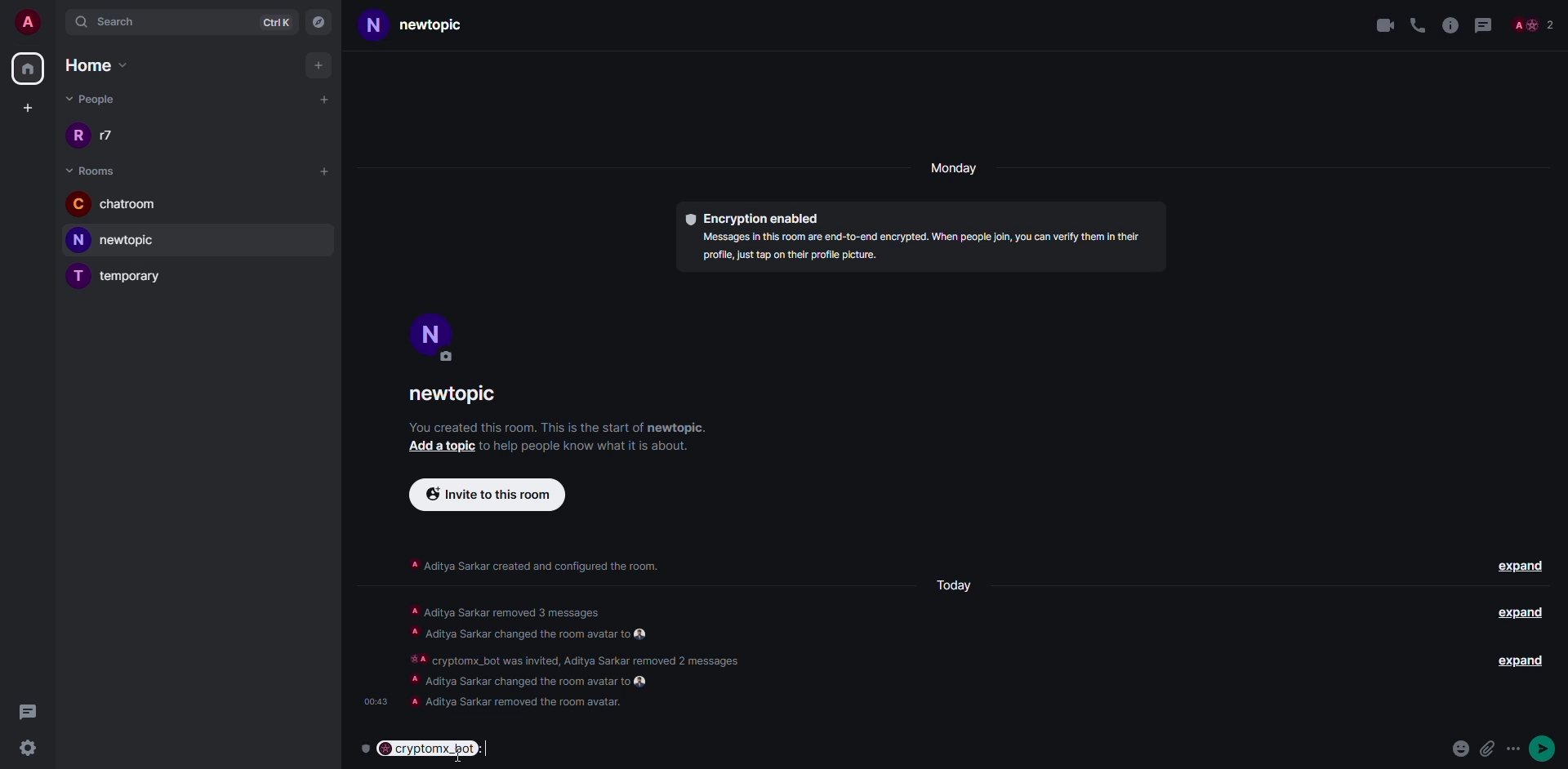 This screenshot has width=1568, height=769. What do you see at coordinates (913, 250) in the screenshot?
I see `Messages in this room are end-to-end encrypted. When people join, you can verify them In theirprofile, just tap on their profile picture.` at bounding box center [913, 250].